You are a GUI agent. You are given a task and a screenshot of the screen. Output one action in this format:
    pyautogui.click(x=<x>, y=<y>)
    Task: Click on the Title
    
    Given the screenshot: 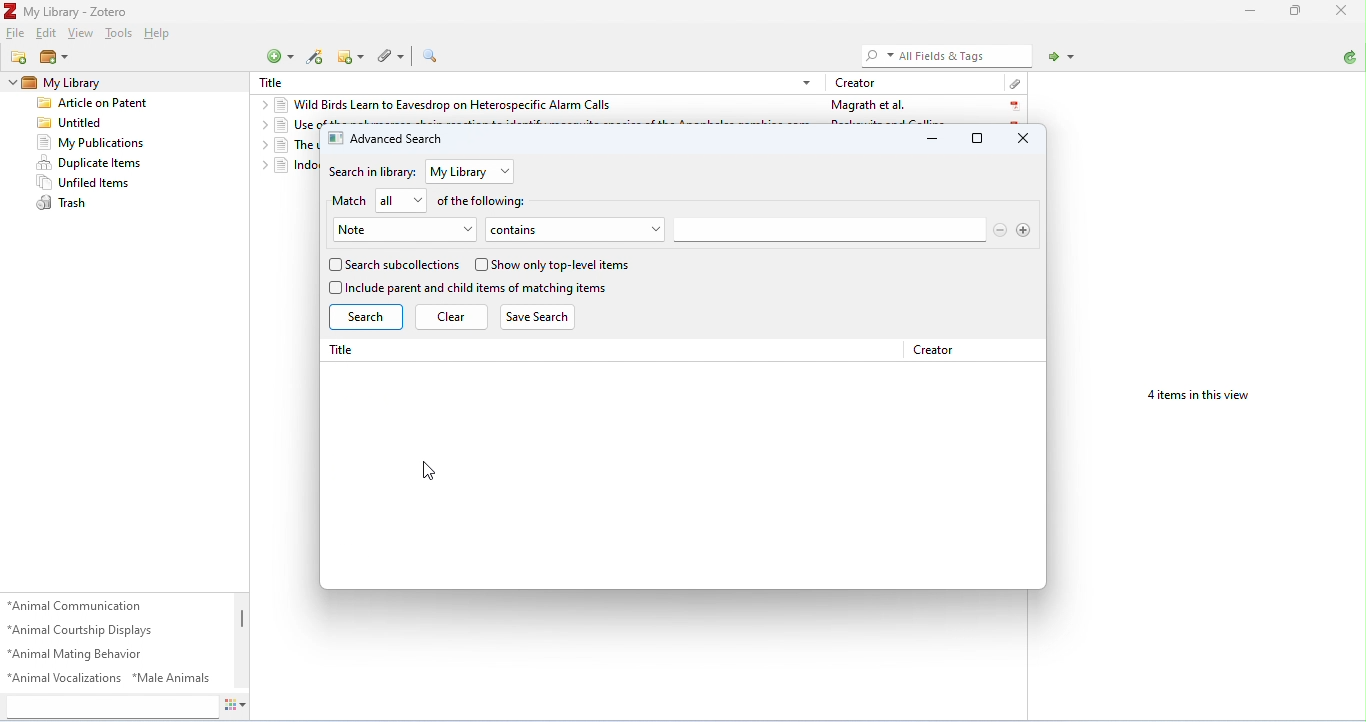 What is the action you would take?
    pyautogui.click(x=275, y=81)
    